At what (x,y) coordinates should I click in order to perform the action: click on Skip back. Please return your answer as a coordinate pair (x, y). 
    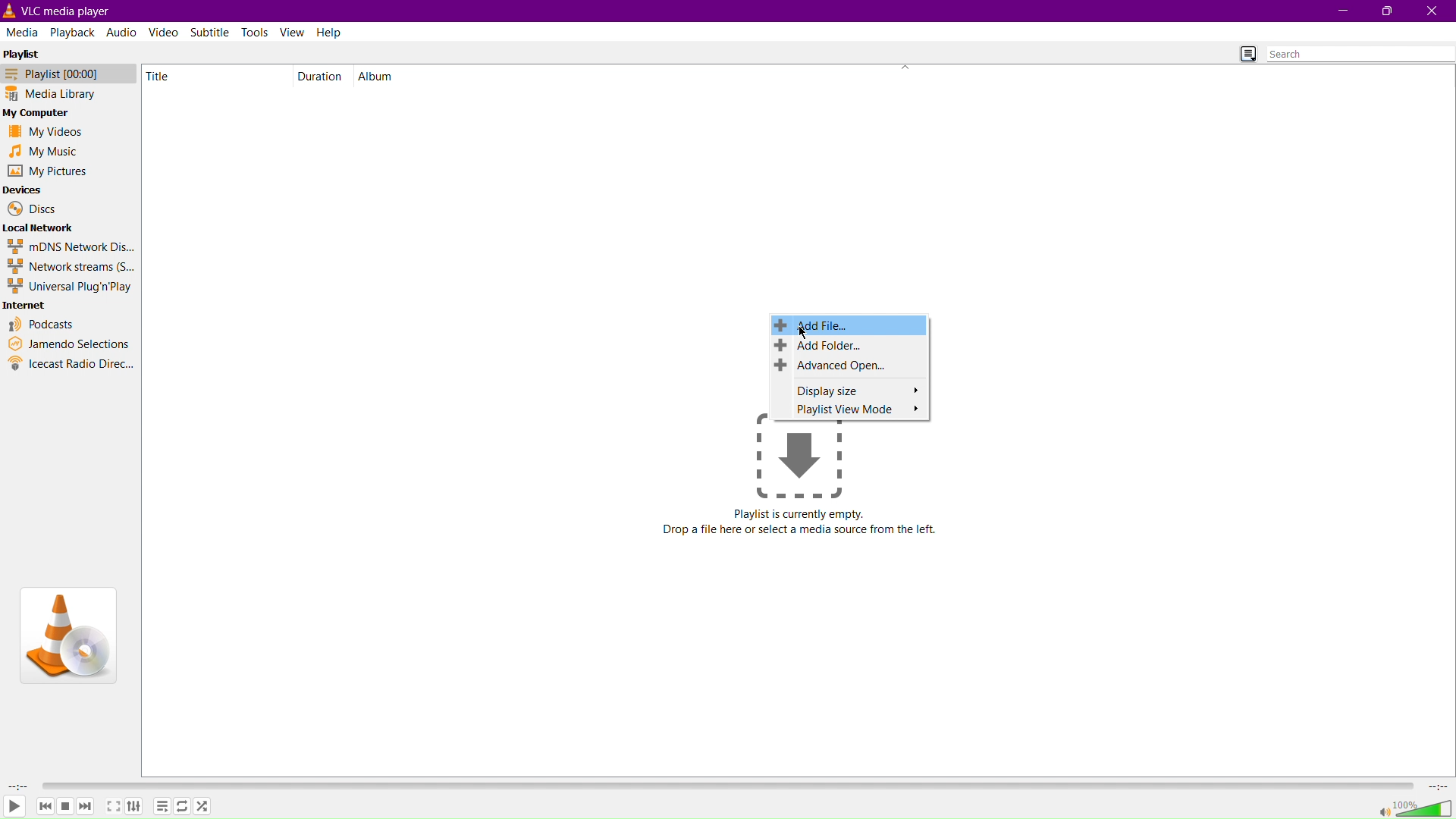
    Looking at the image, I should click on (45, 806).